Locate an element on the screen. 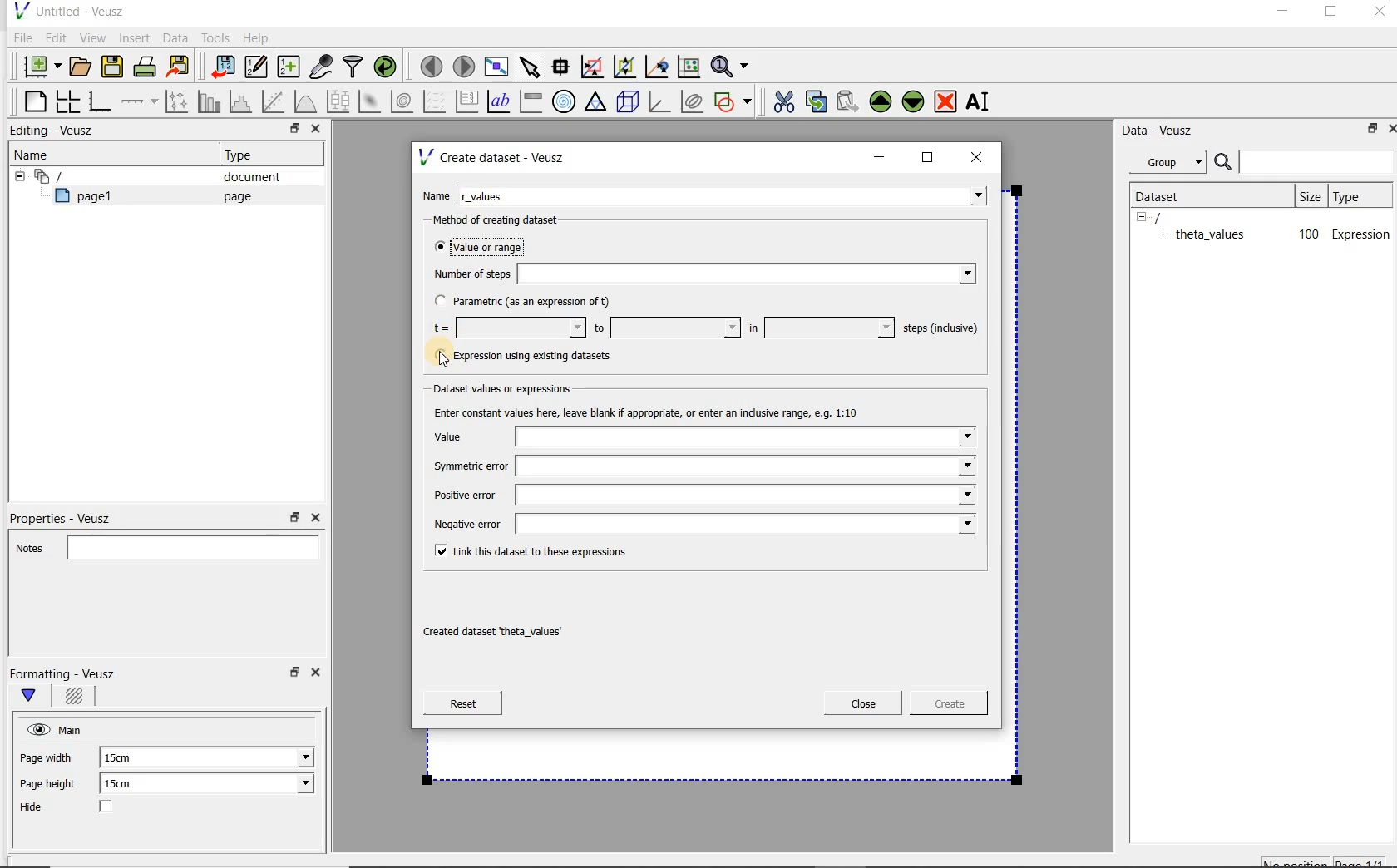 The height and width of the screenshot is (868, 1397). capture remote data is located at coordinates (322, 69).